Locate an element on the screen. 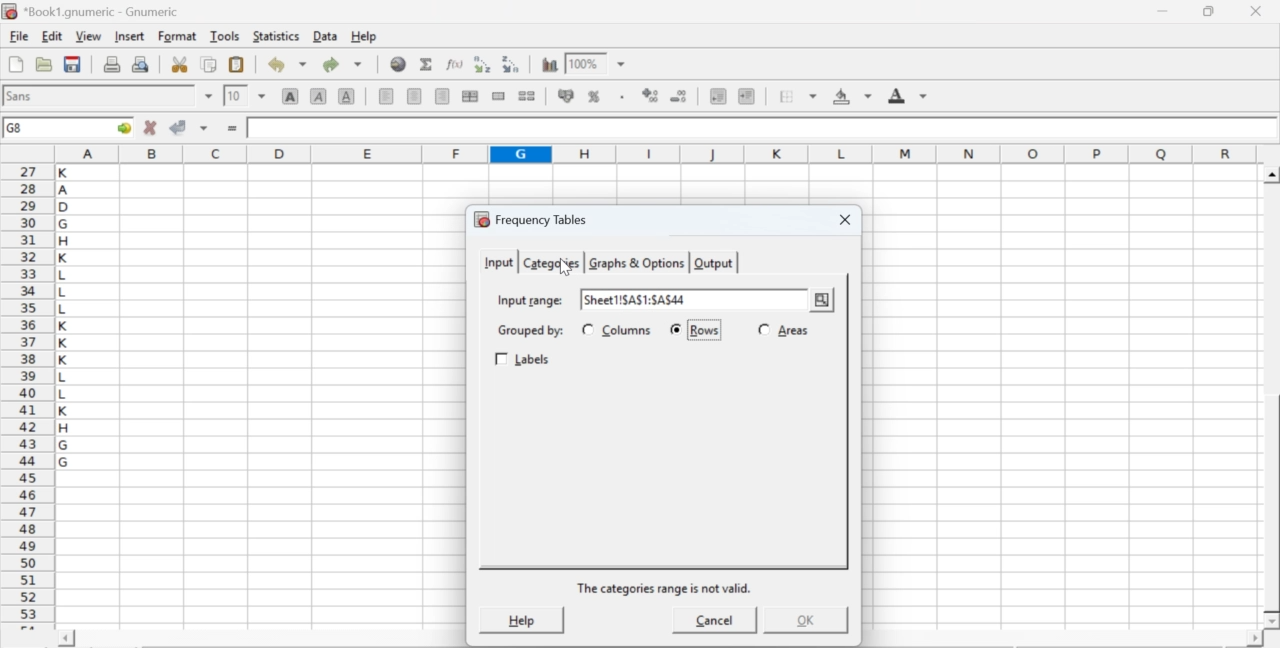  file is located at coordinates (18, 37).